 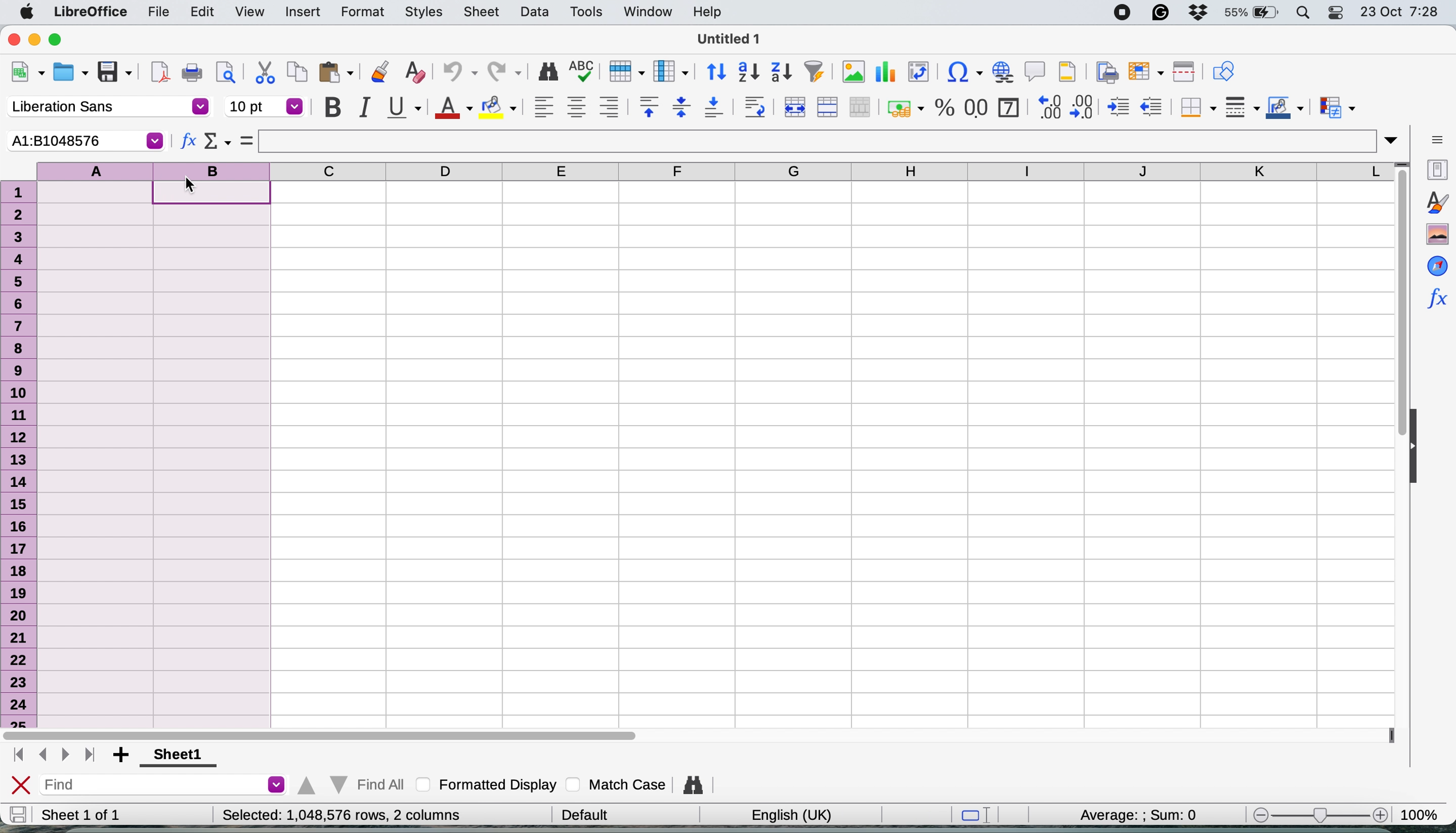 What do you see at coordinates (1333, 105) in the screenshot?
I see `conditional` at bounding box center [1333, 105].